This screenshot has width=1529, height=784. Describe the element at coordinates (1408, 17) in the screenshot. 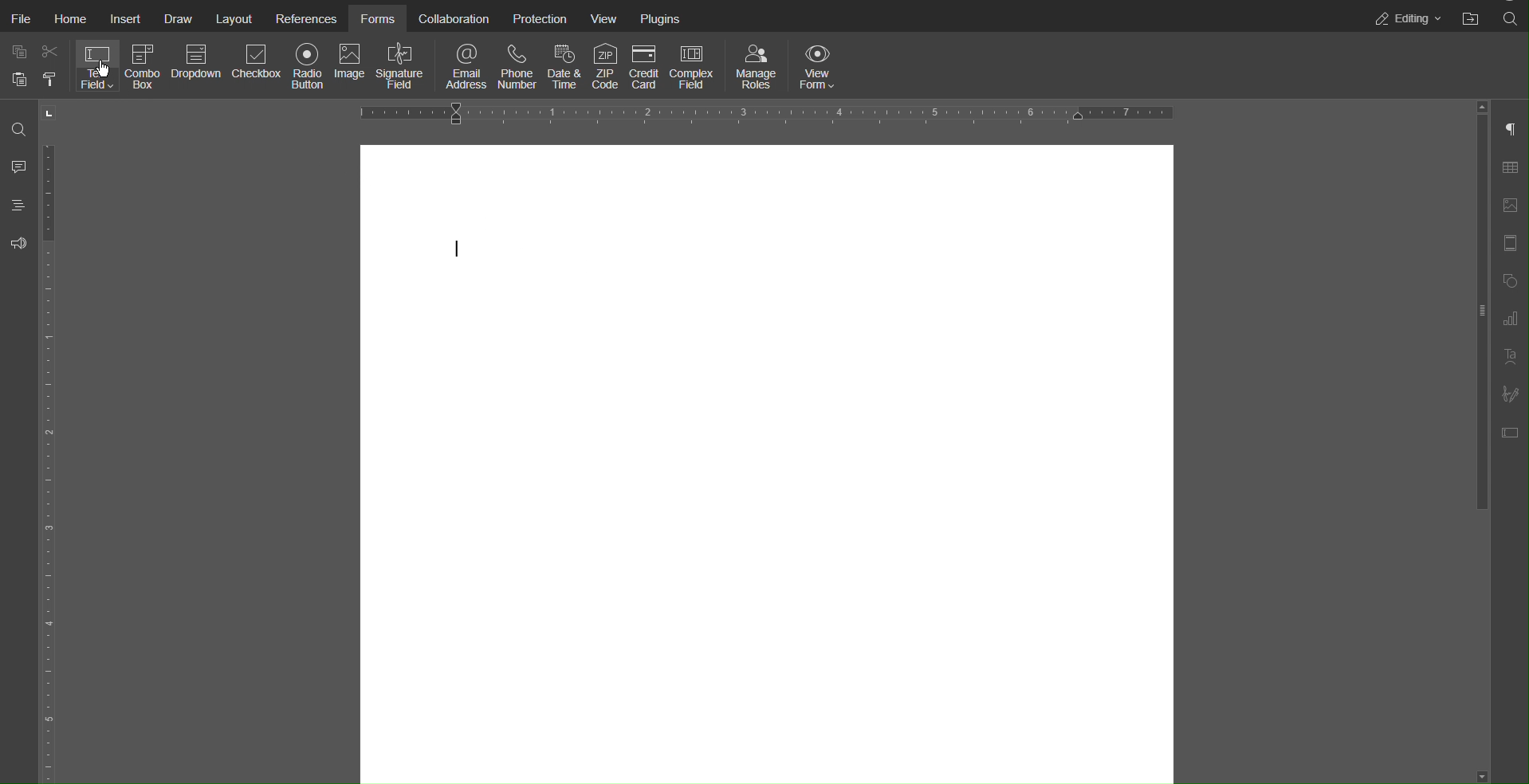

I see `Editing` at that location.